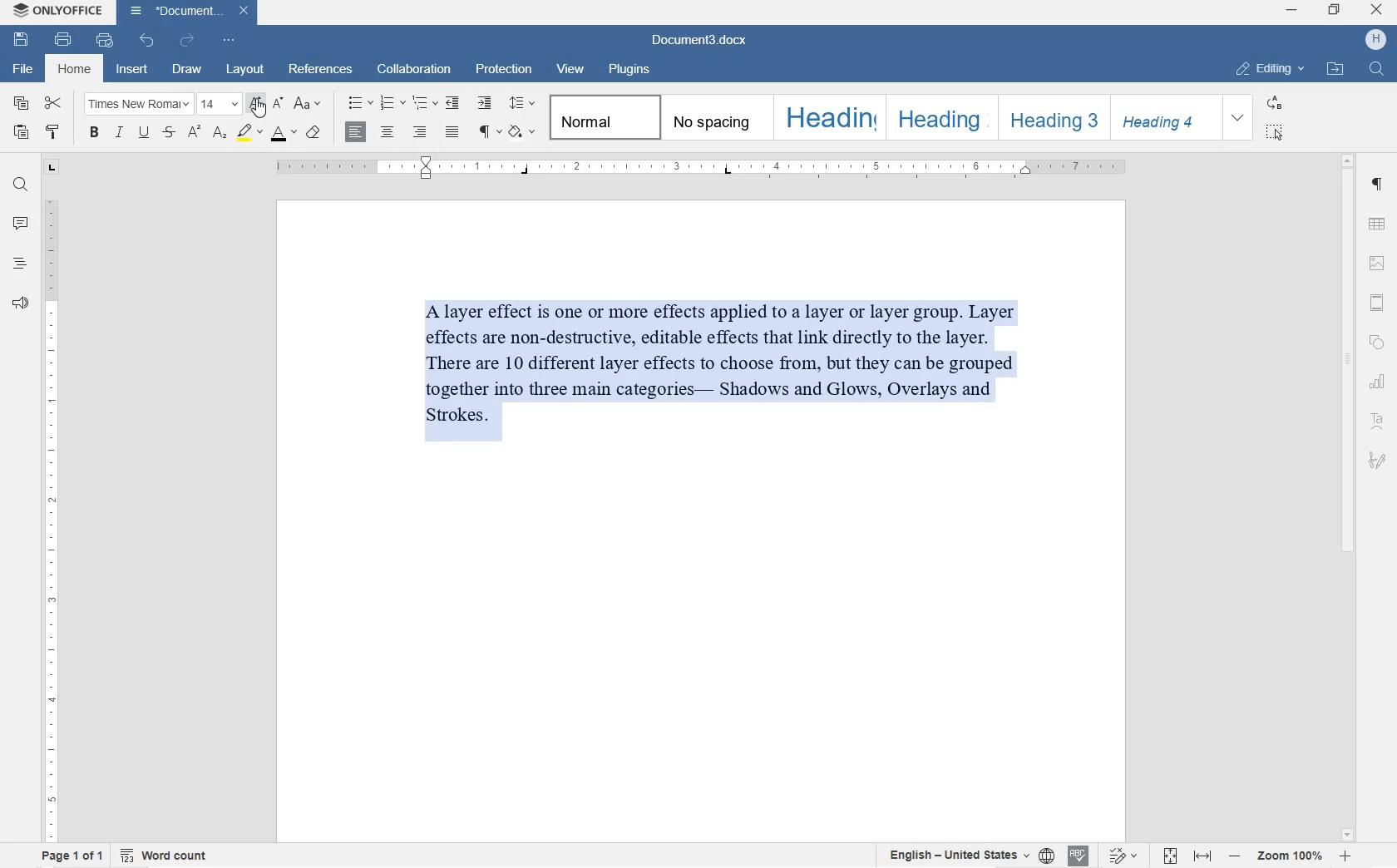  Describe the element at coordinates (1345, 497) in the screenshot. I see `scrollbar` at that location.